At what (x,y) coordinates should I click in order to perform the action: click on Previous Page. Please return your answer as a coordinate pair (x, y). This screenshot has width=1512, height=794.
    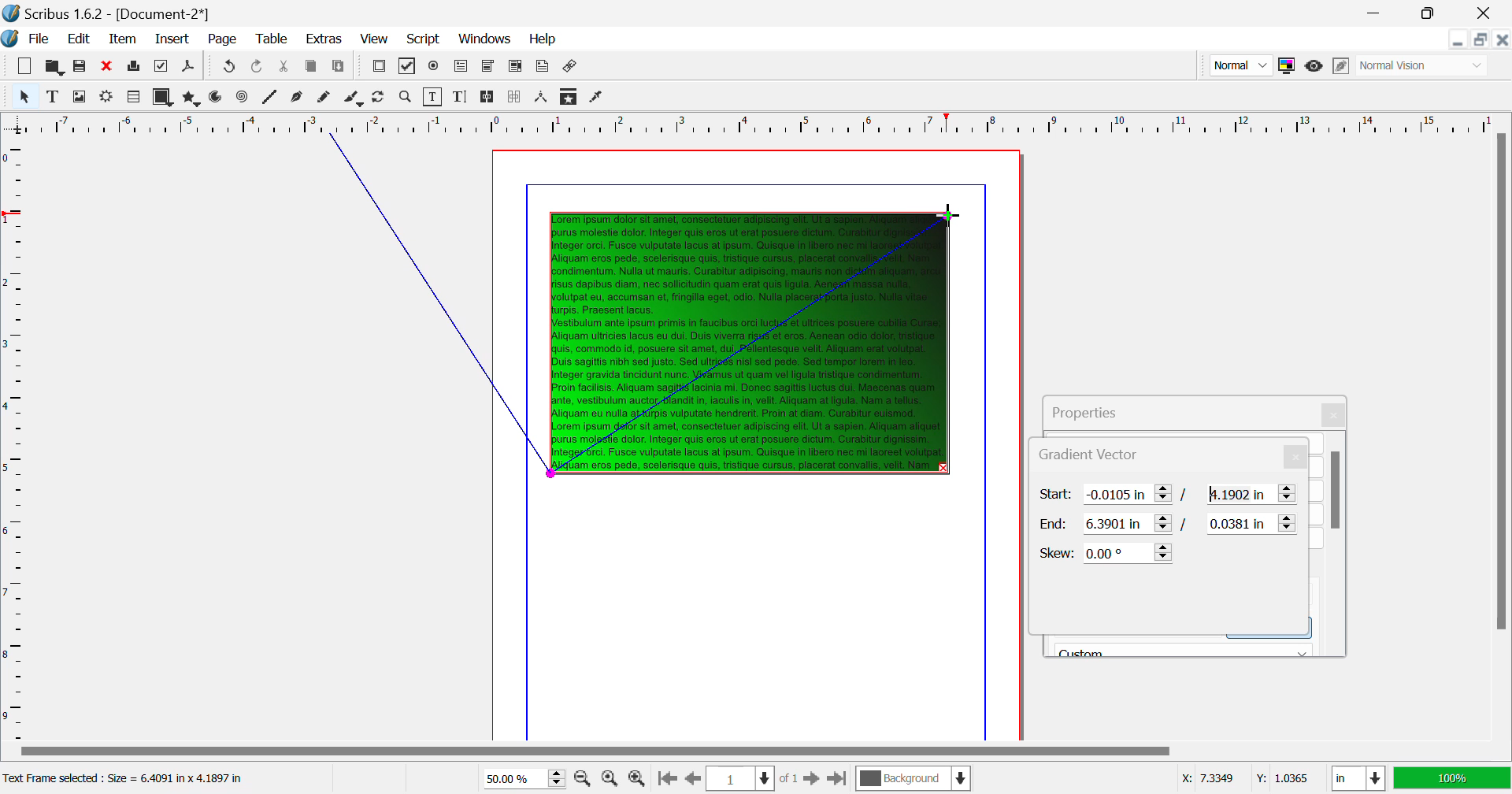
    Looking at the image, I should click on (691, 779).